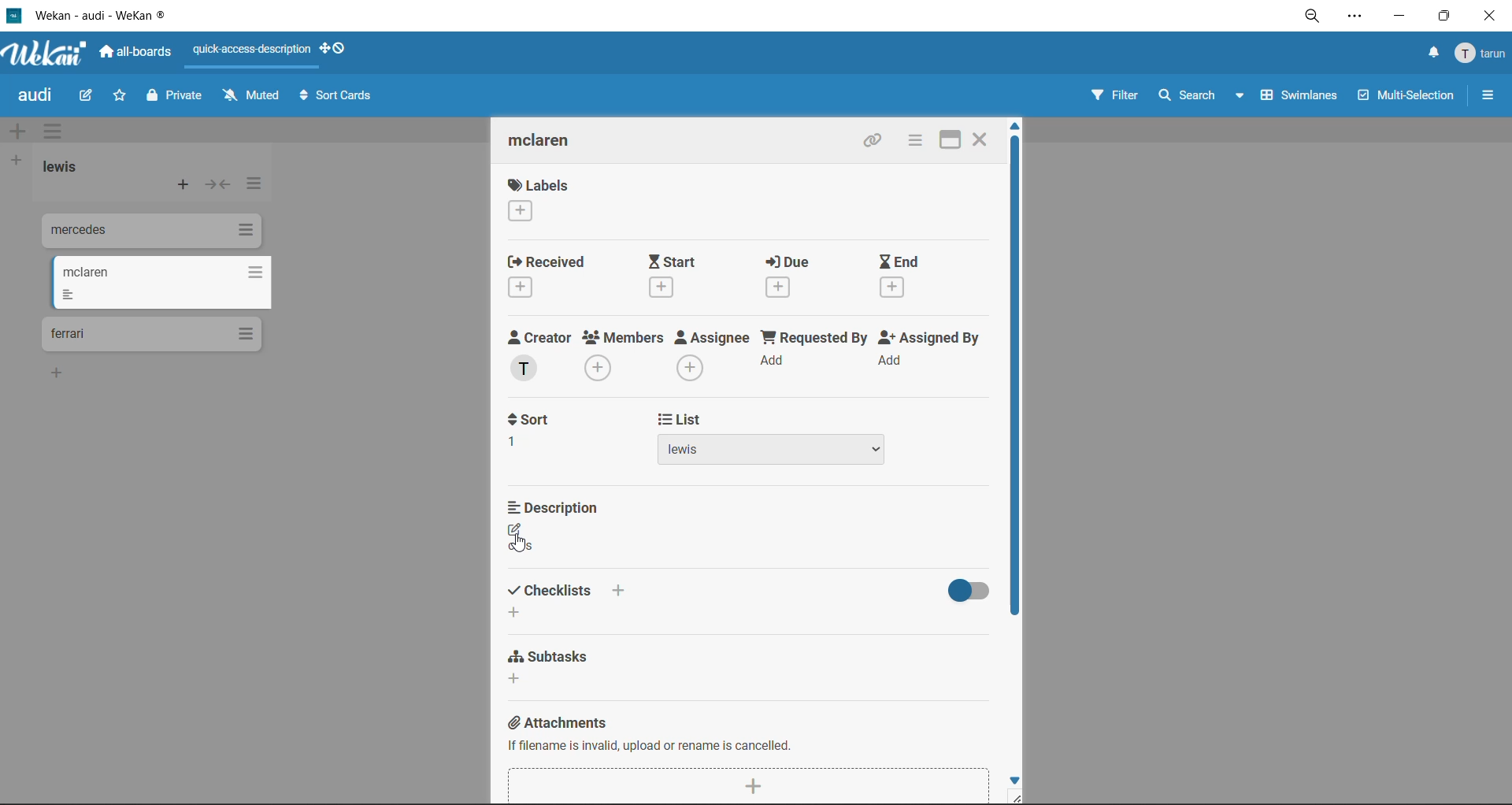 This screenshot has height=805, width=1512. Describe the element at coordinates (251, 187) in the screenshot. I see `list actions` at that location.